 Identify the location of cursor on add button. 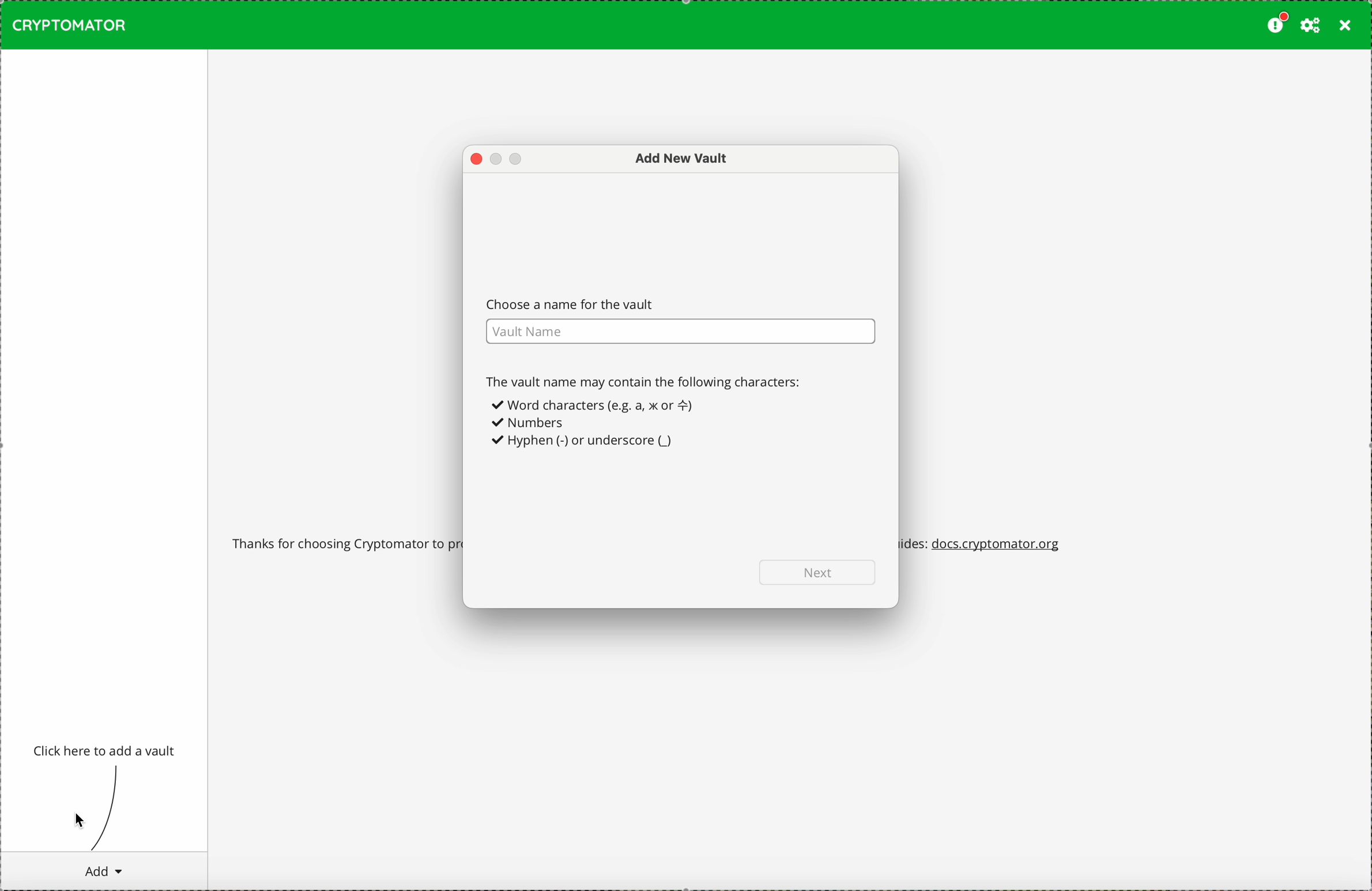
(103, 871).